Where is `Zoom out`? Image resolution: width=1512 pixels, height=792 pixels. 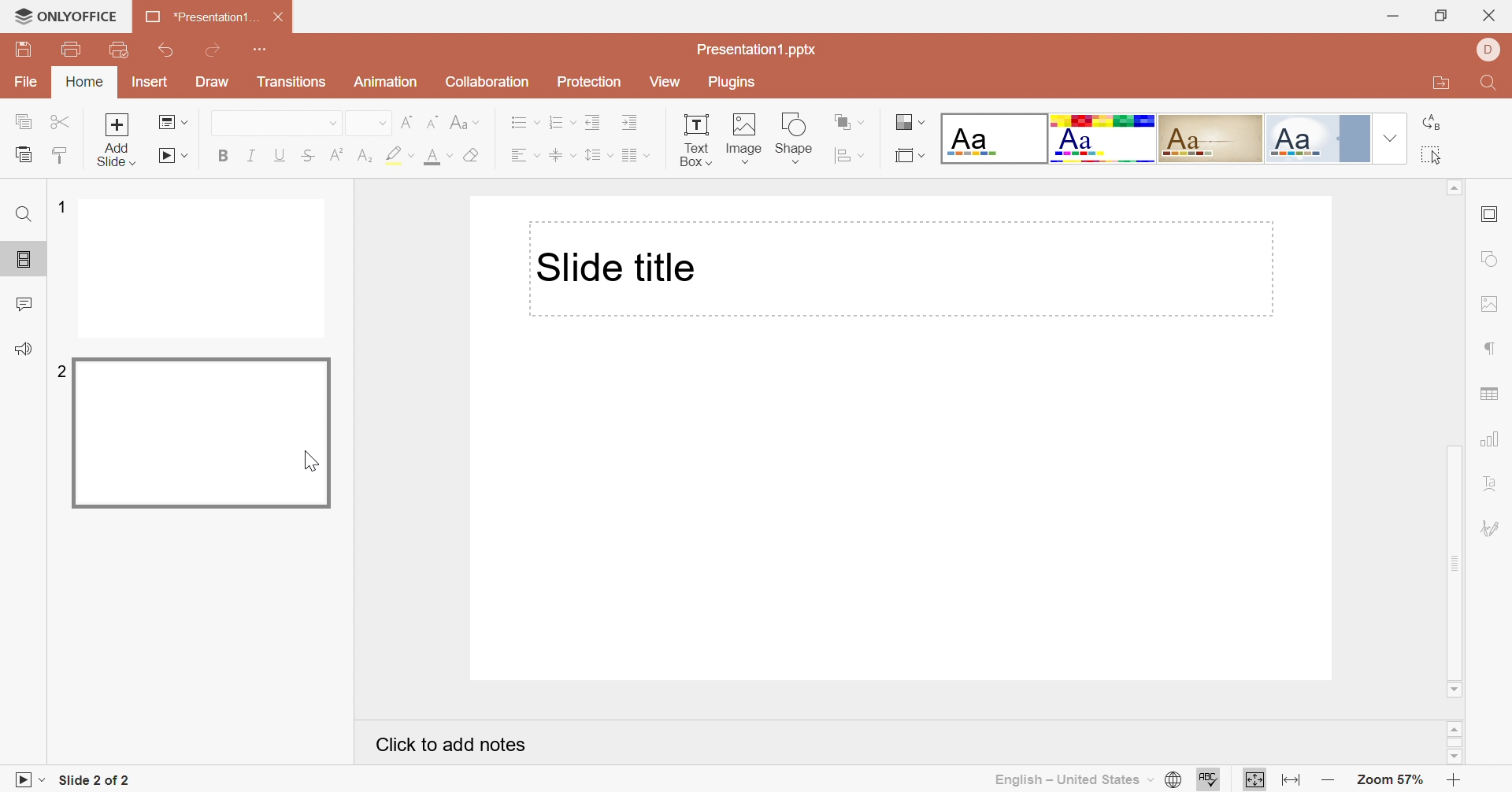 Zoom out is located at coordinates (1328, 781).